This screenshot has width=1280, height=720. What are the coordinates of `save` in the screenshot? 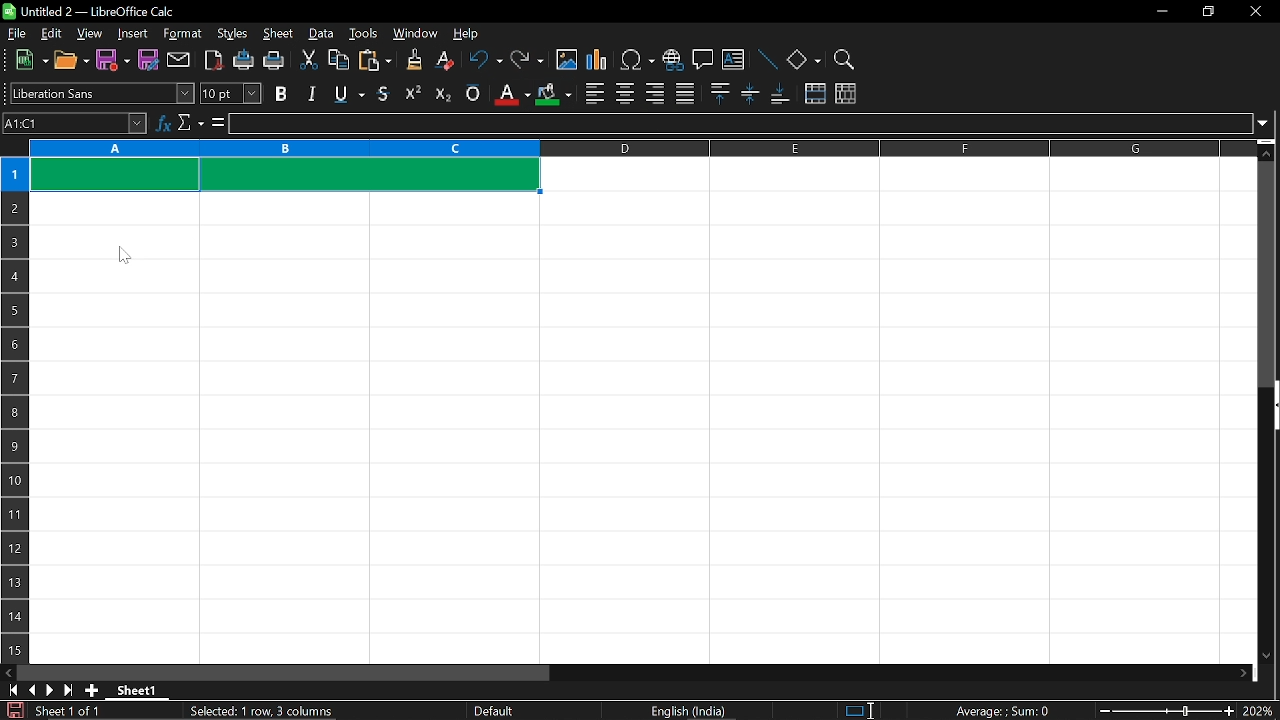 It's located at (113, 61).